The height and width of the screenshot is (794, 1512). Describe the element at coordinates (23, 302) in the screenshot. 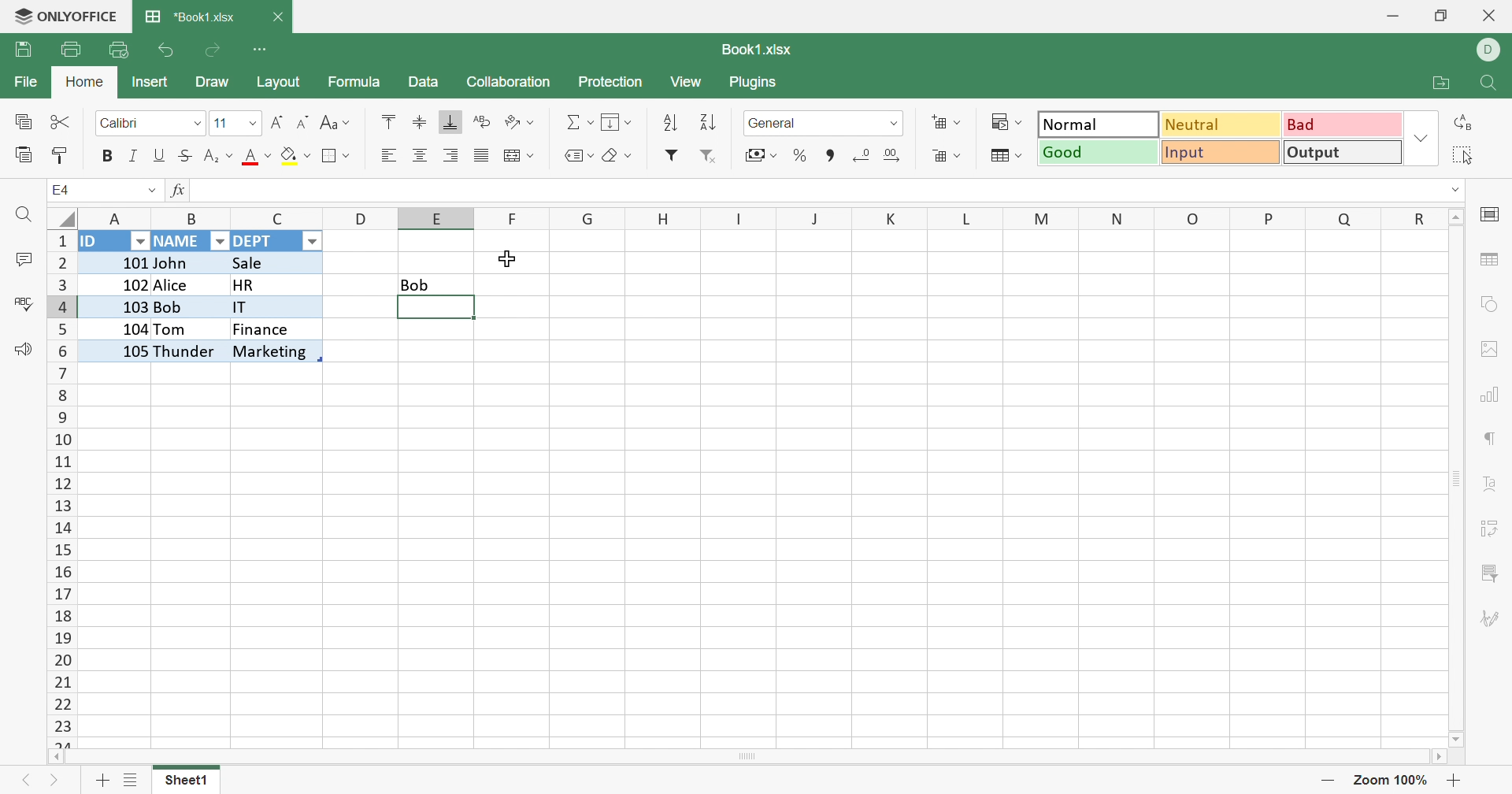

I see `Check Spelling` at that location.